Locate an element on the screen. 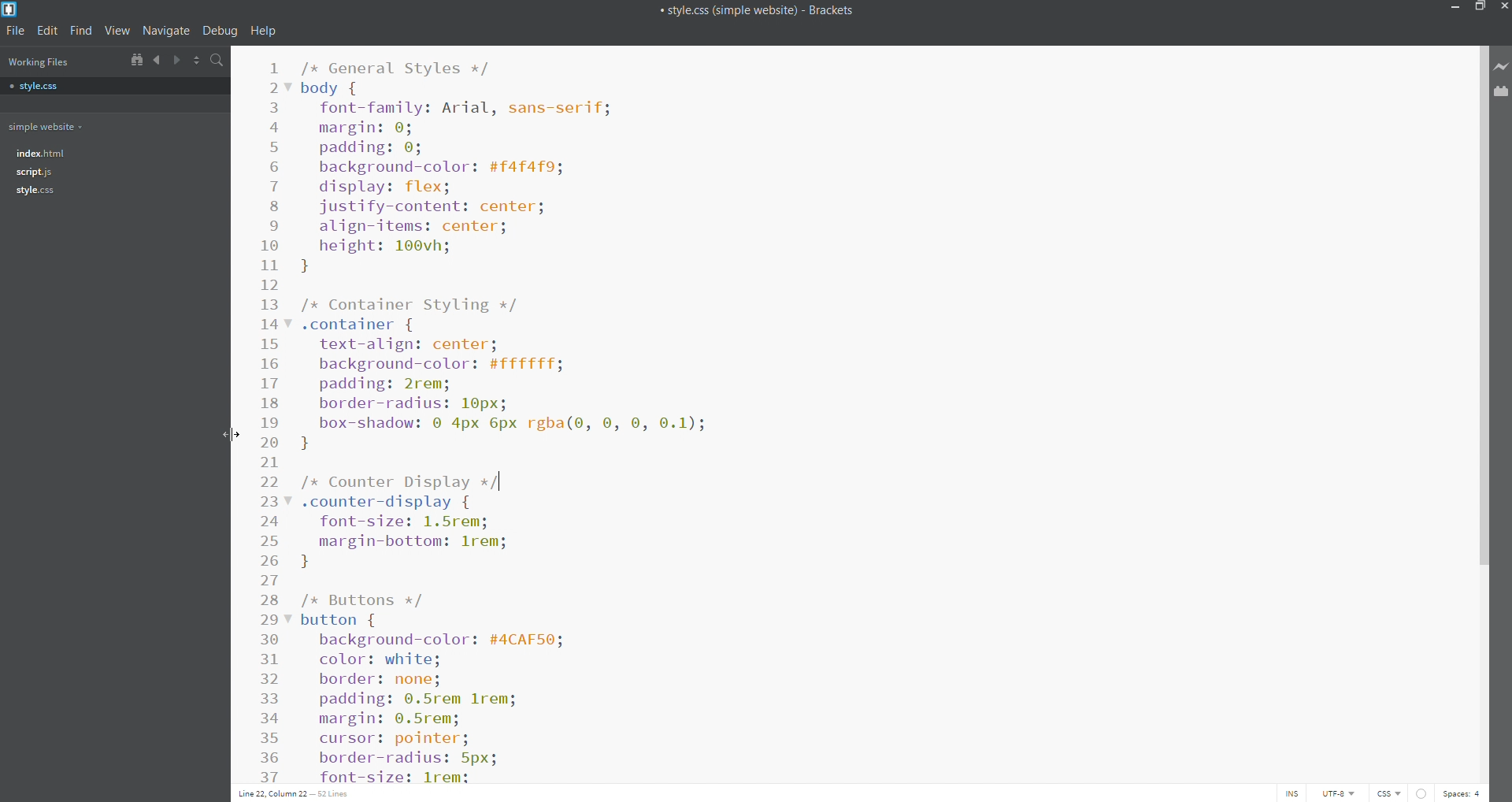 The width and height of the screenshot is (1512, 802). edit is located at coordinates (48, 31).